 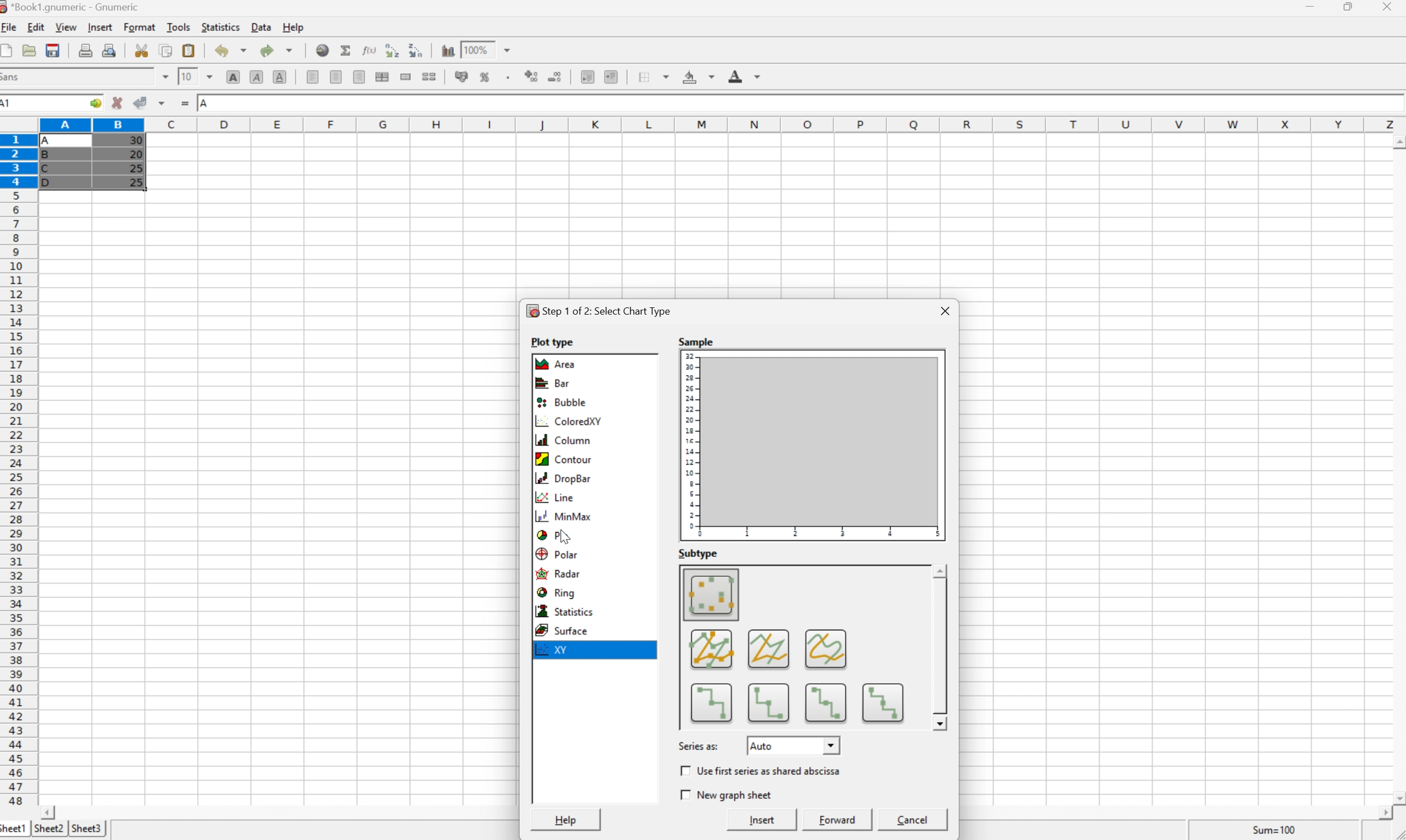 What do you see at coordinates (939, 722) in the screenshot?
I see `Drop Down` at bounding box center [939, 722].